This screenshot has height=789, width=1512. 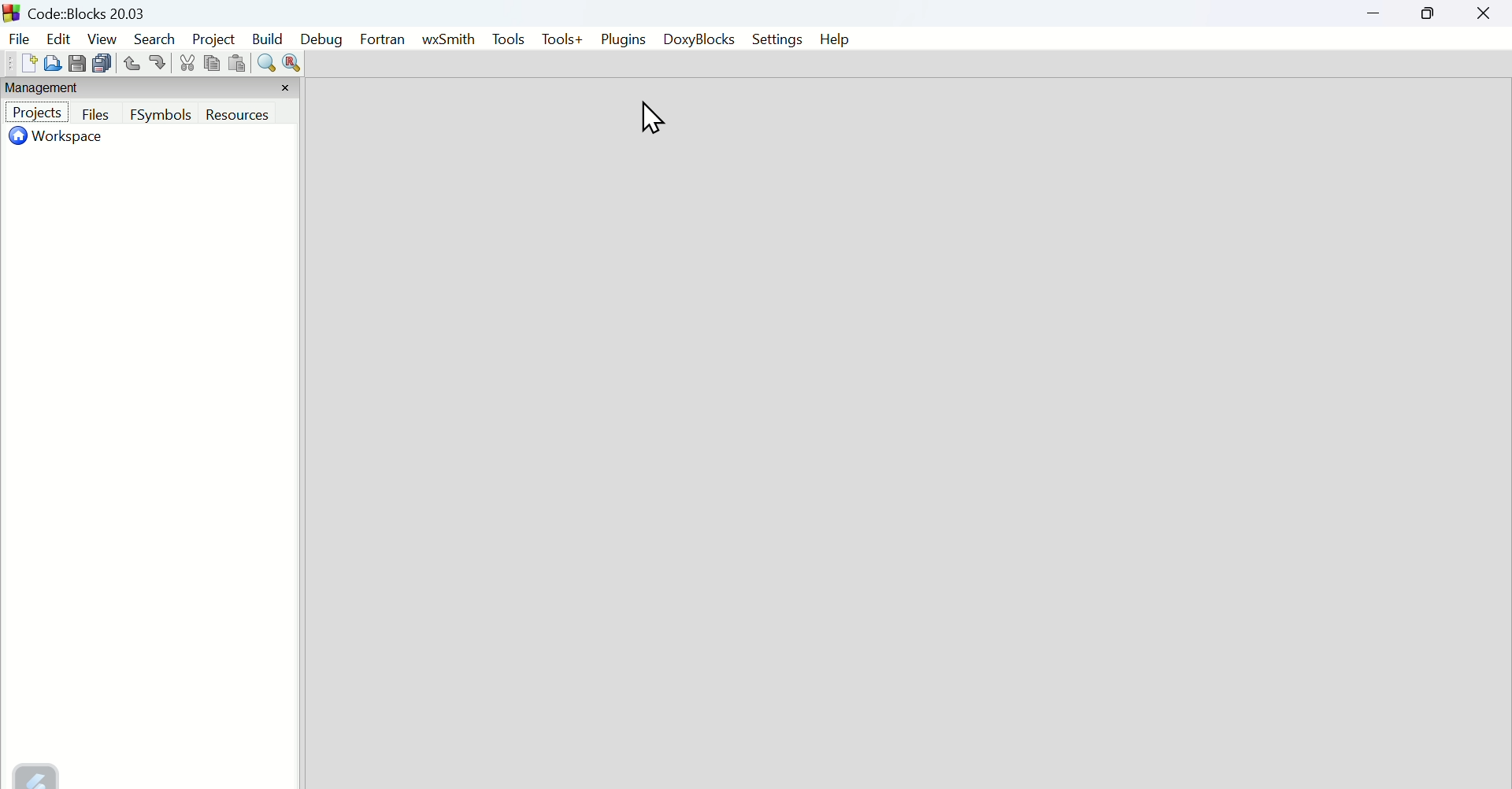 What do you see at coordinates (187, 63) in the screenshot?
I see `Cut` at bounding box center [187, 63].